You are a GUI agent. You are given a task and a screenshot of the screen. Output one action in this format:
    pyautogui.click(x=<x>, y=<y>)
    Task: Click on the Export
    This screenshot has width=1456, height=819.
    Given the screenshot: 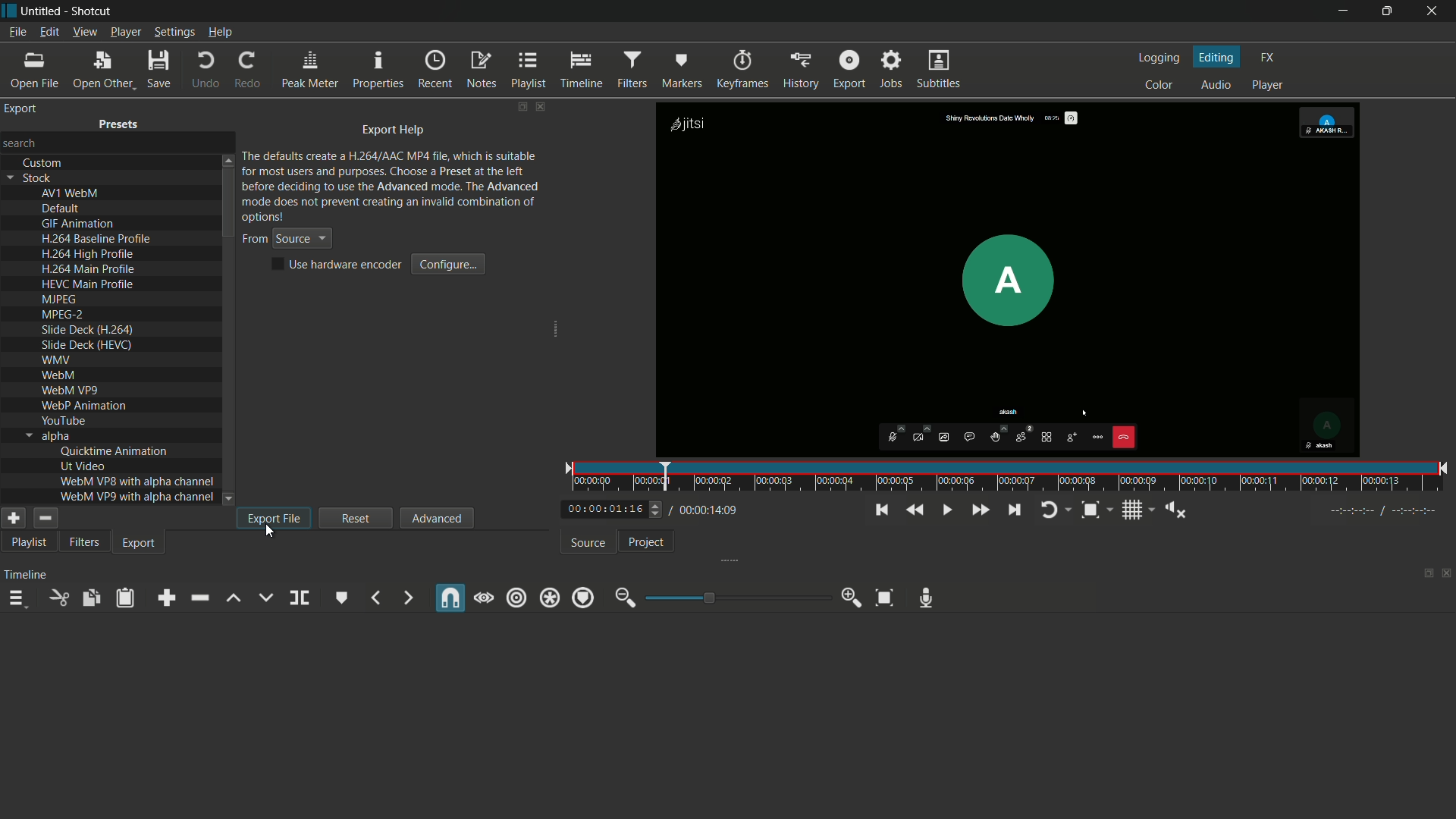 What is the action you would take?
    pyautogui.click(x=849, y=68)
    